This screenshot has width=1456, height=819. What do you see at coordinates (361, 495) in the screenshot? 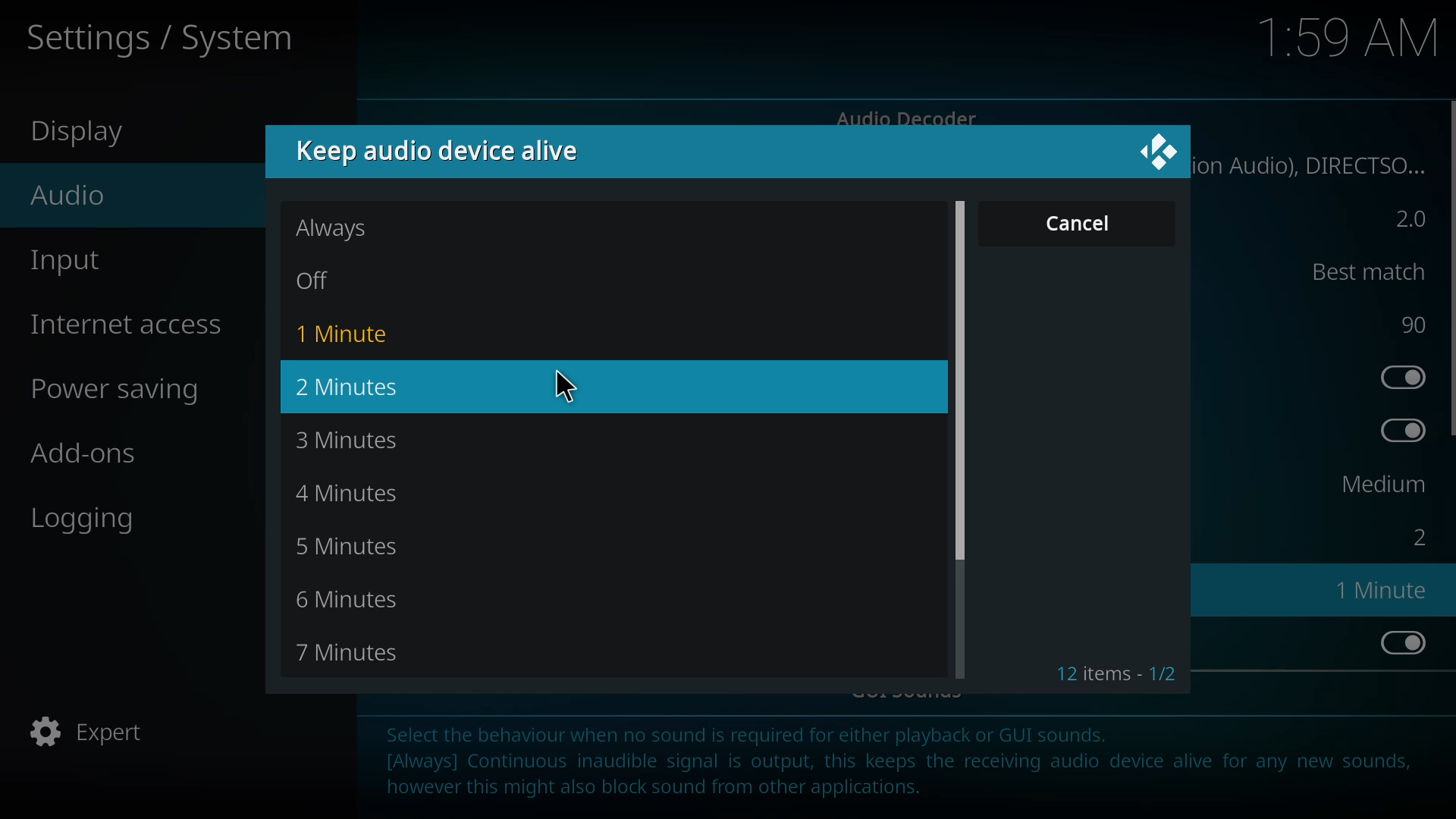
I see `4 min` at bounding box center [361, 495].